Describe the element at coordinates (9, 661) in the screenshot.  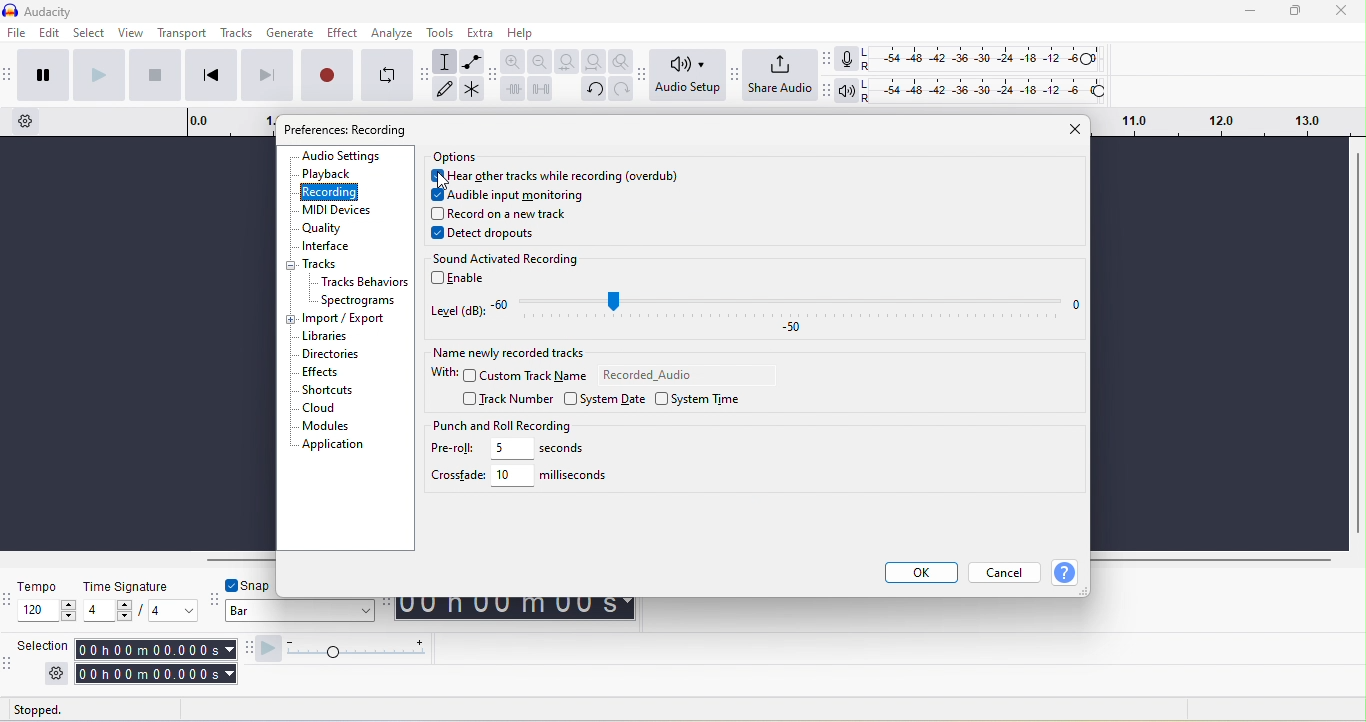
I see `audacity selection toolbar` at that location.